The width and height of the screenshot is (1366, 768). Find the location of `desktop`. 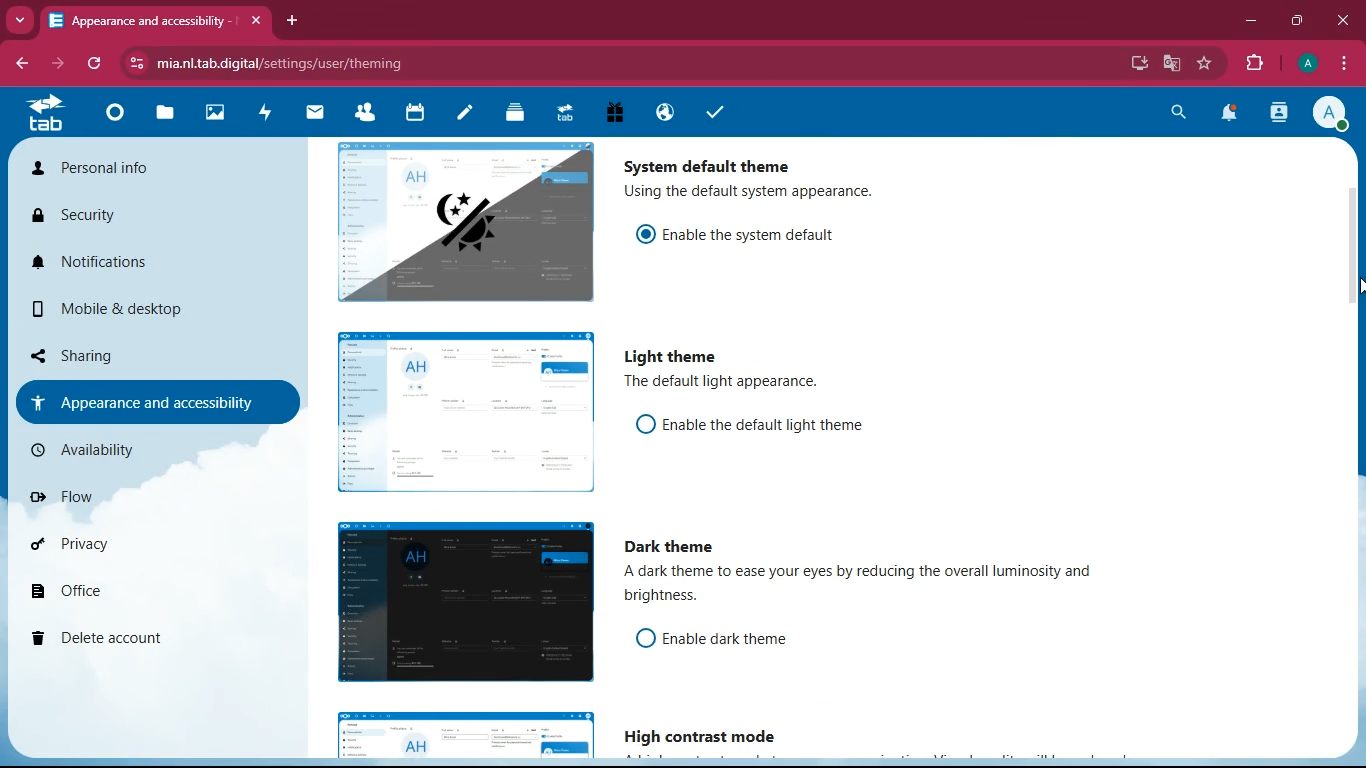

desktop is located at coordinates (1131, 63).